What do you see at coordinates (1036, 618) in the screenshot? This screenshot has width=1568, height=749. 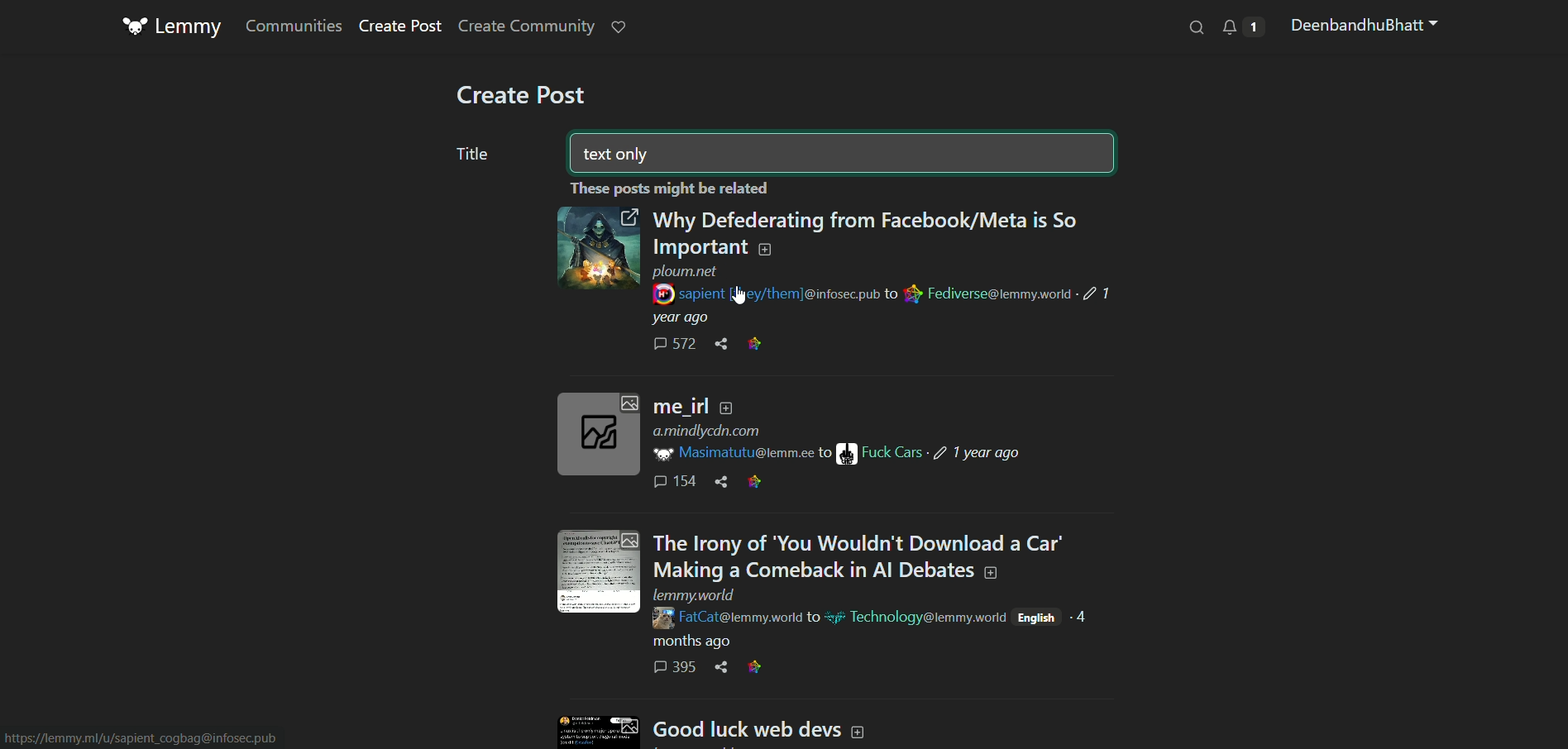 I see `Post language` at bounding box center [1036, 618].